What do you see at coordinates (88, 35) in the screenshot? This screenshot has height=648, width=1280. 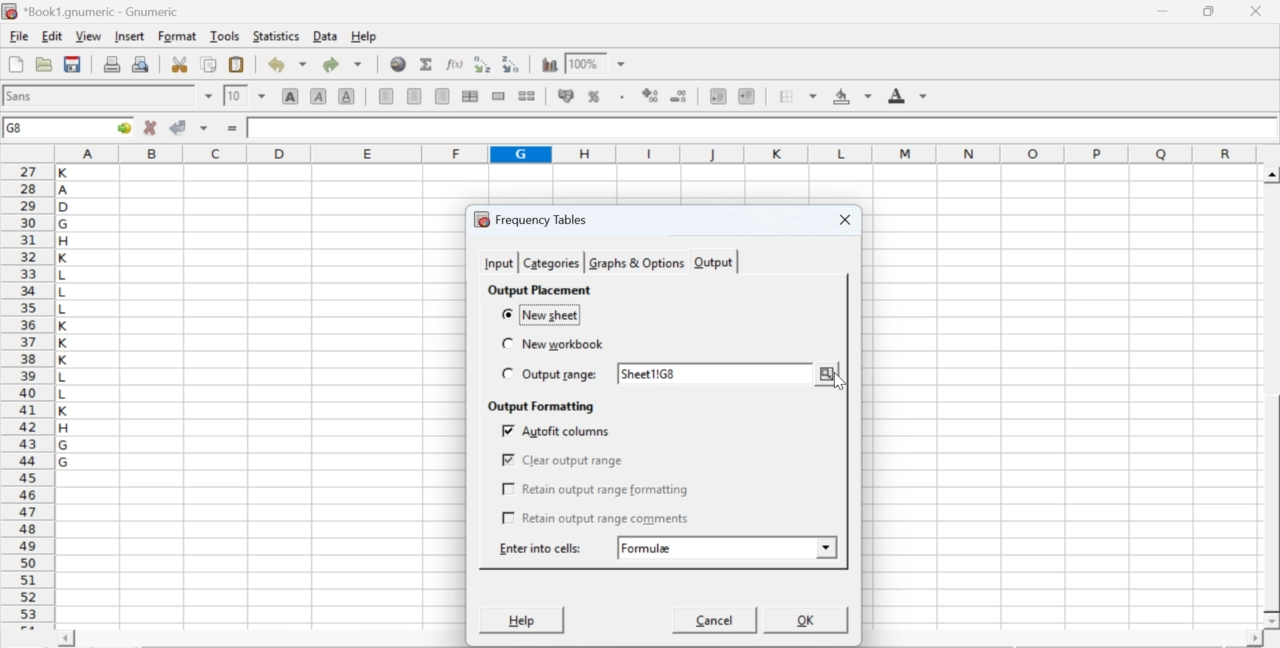 I see `view` at bounding box center [88, 35].